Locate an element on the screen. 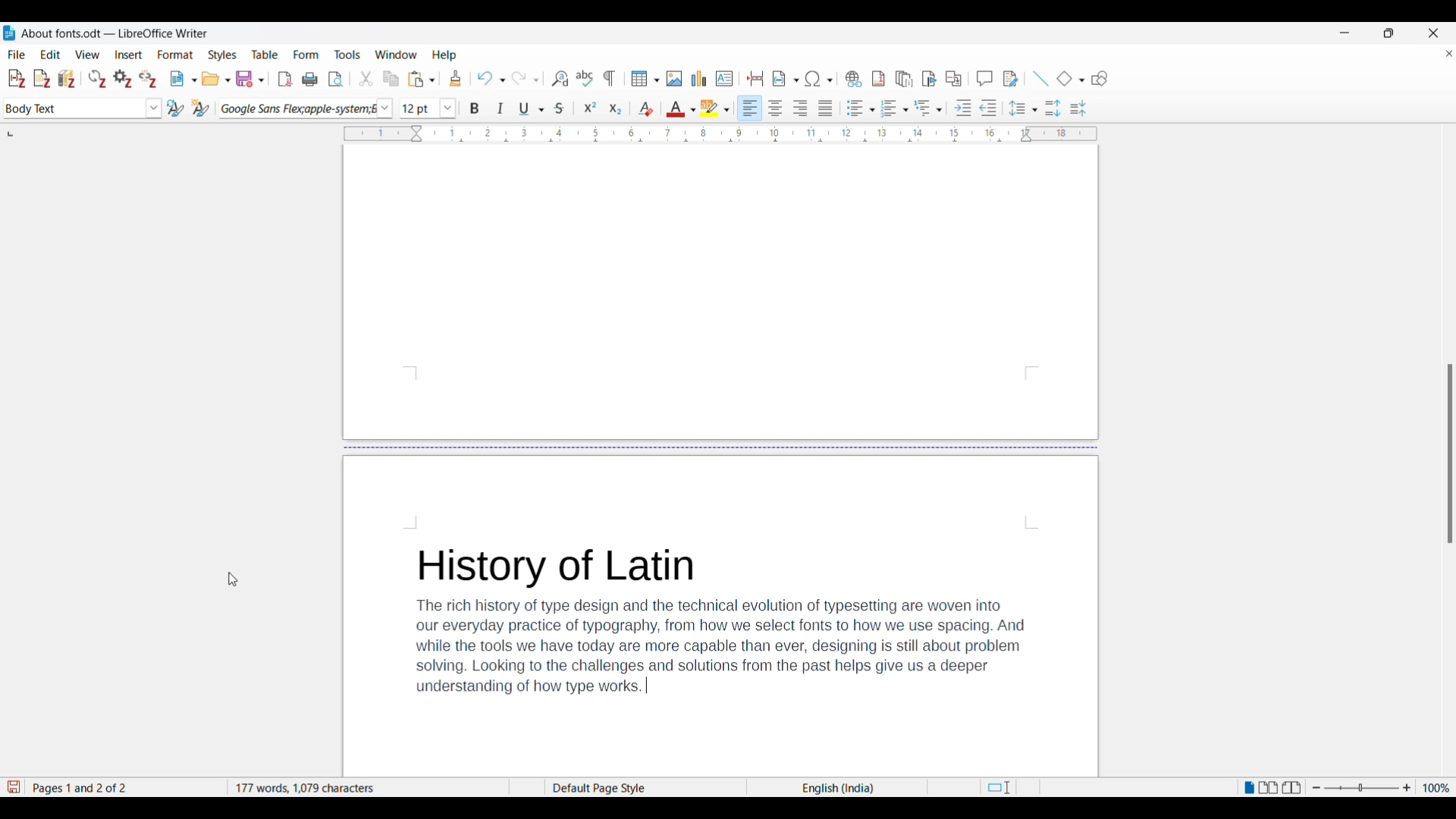  Copy is located at coordinates (391, 80).